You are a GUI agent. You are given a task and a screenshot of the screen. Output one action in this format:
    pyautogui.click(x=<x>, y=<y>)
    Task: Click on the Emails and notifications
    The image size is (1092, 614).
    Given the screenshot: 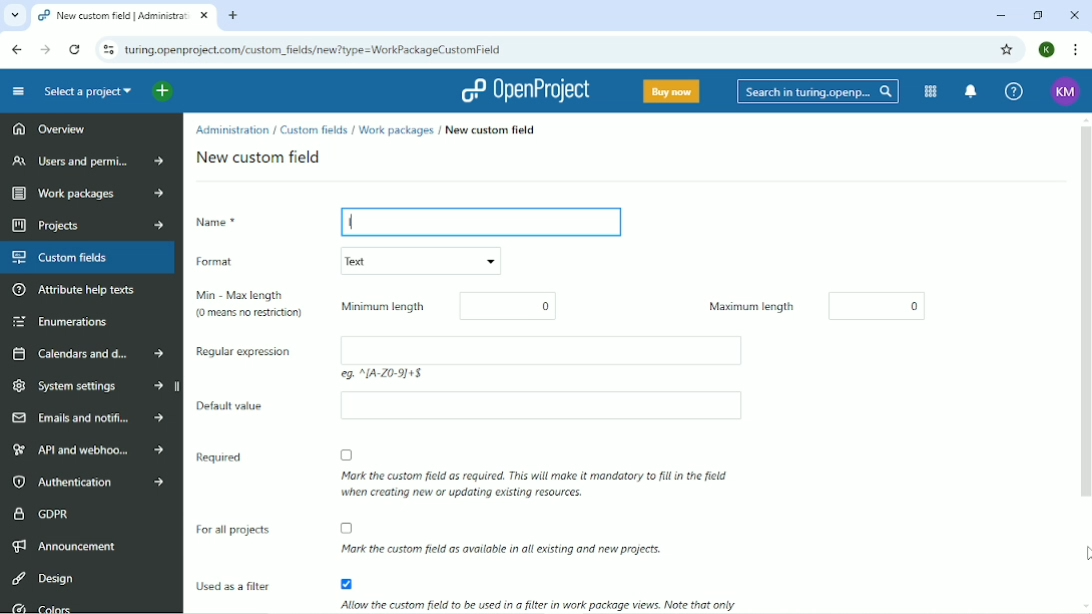 What is the action you would take?
    pyautogui.click(x=87, y=418)
    